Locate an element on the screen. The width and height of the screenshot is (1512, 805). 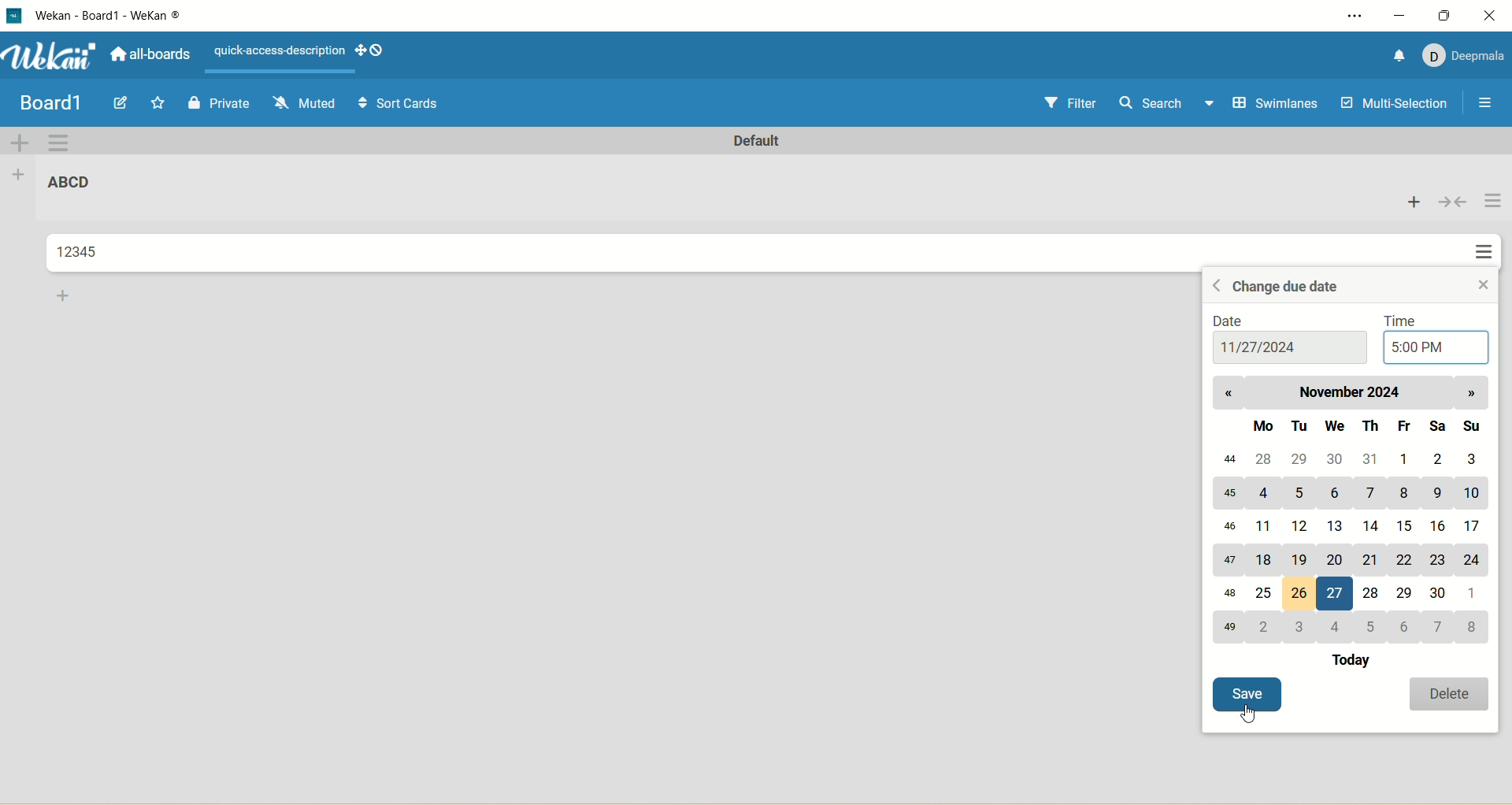
muted is located at coordinates (306, 103).